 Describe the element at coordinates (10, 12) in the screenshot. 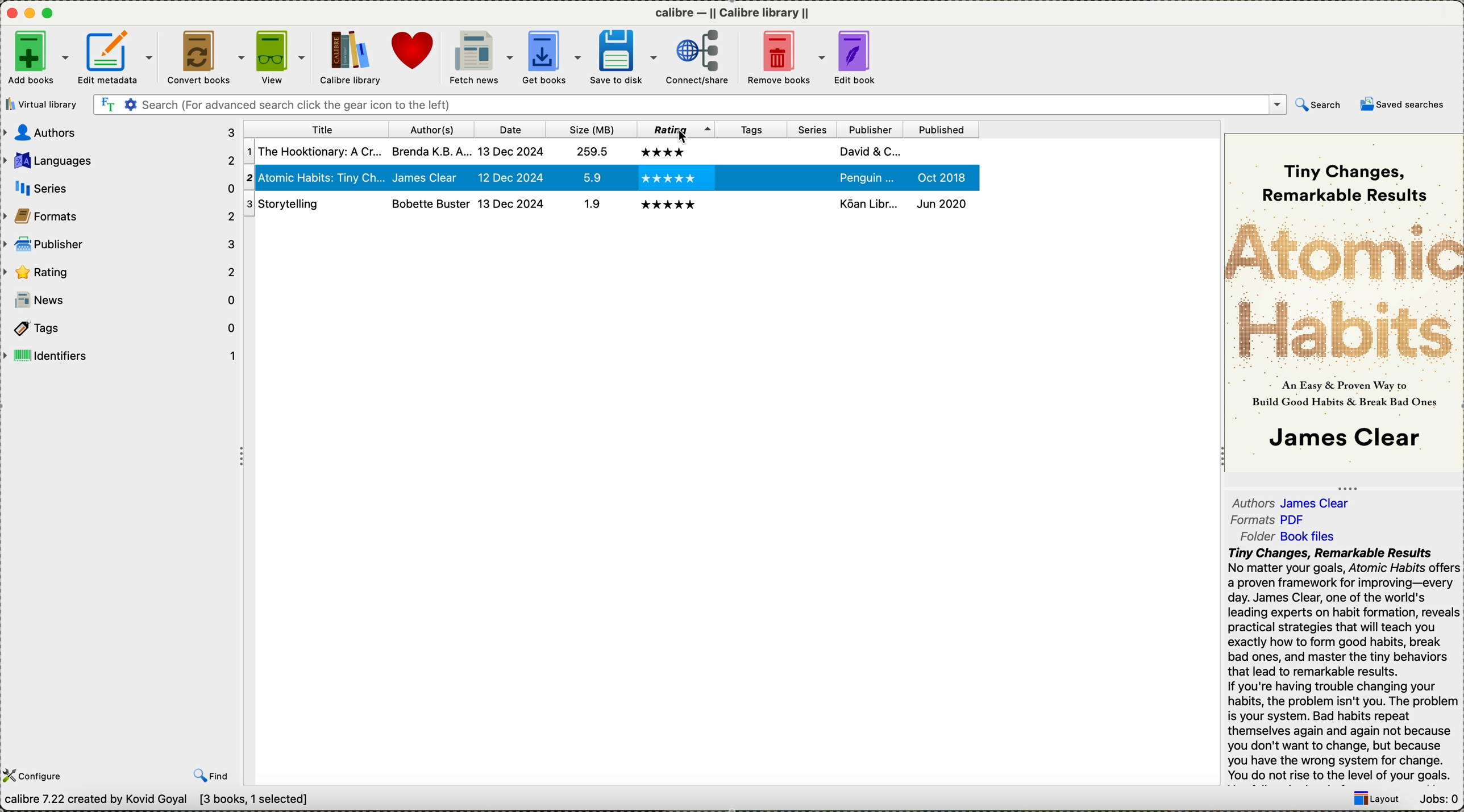

I see `close program` at that location.